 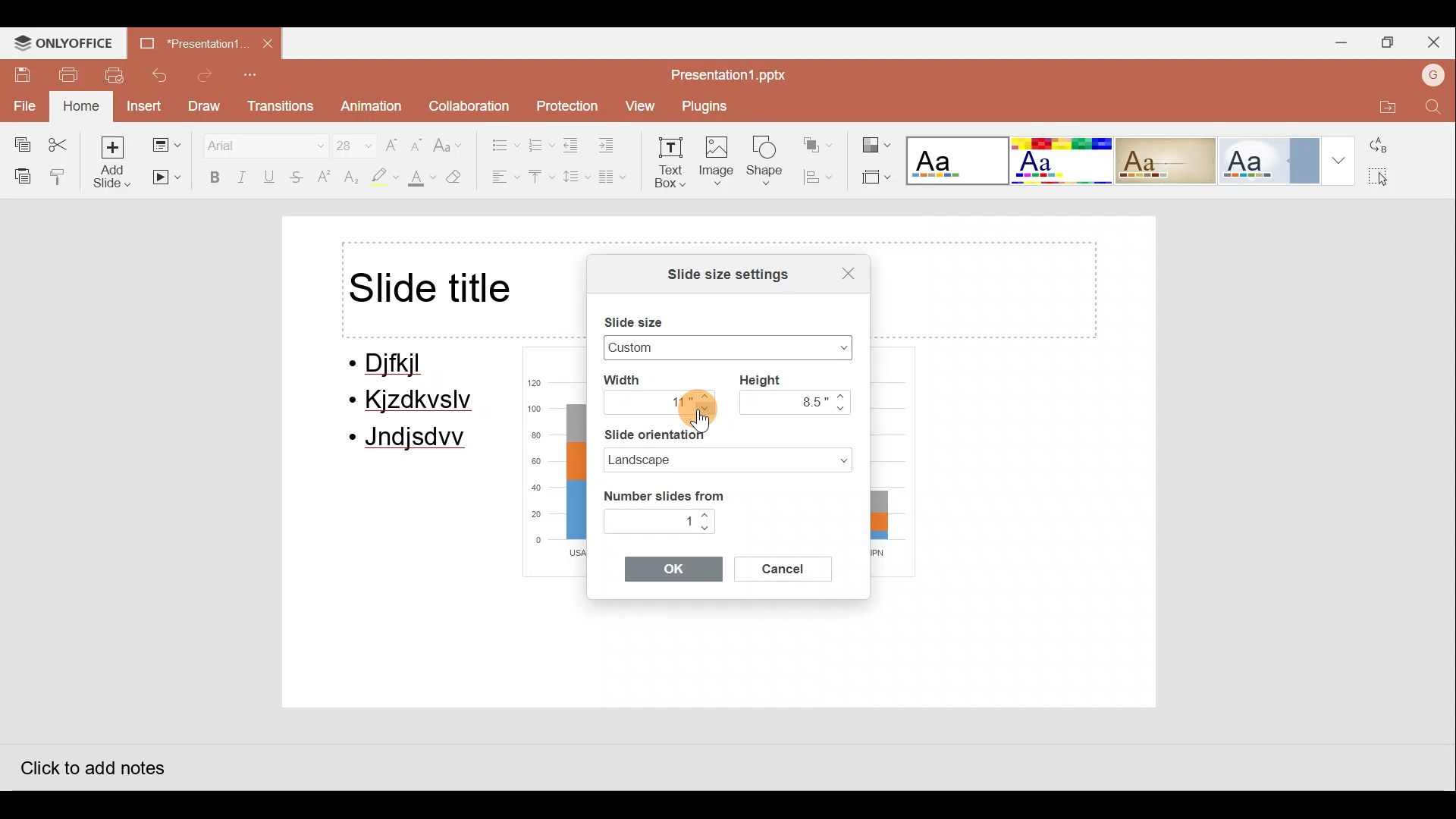 What do you see at coordinates (1276, 160) in the screenshot?
I see `Theme 4` at bounding box center [1276, 160].